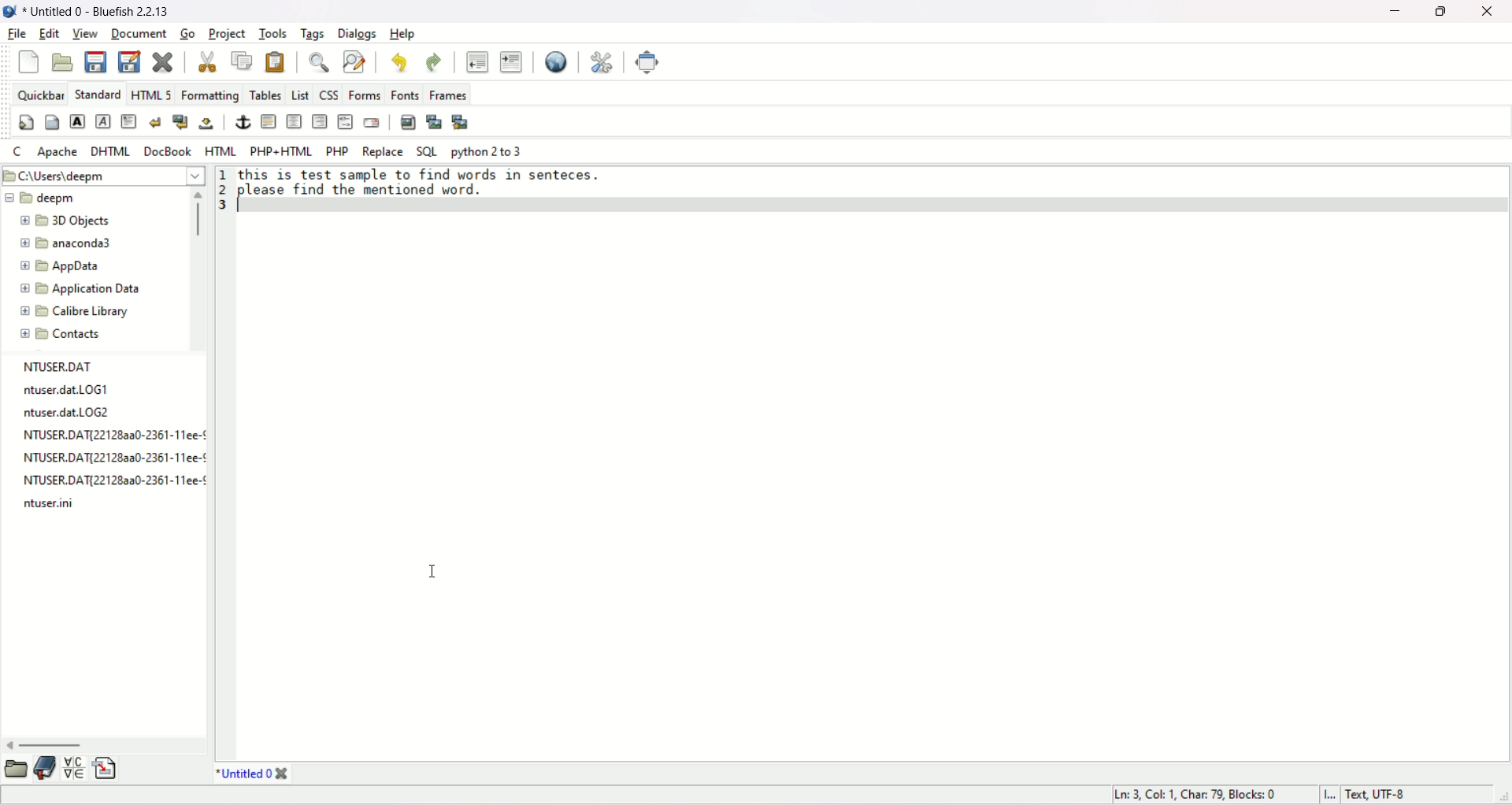 Image resolution: width=1512 pixels, height=805 pixels. I want to click on insert file, so click(107, 770).